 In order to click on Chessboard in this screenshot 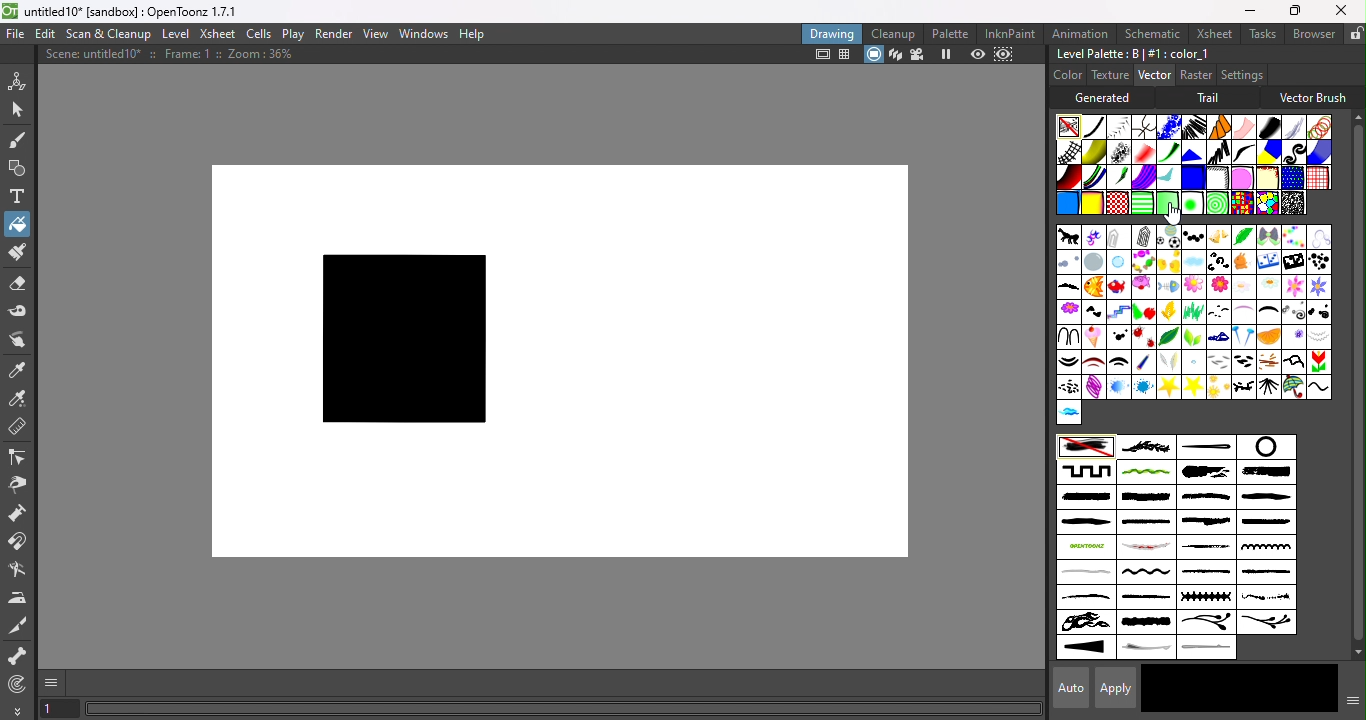, I will do `click(1118, 203)`.